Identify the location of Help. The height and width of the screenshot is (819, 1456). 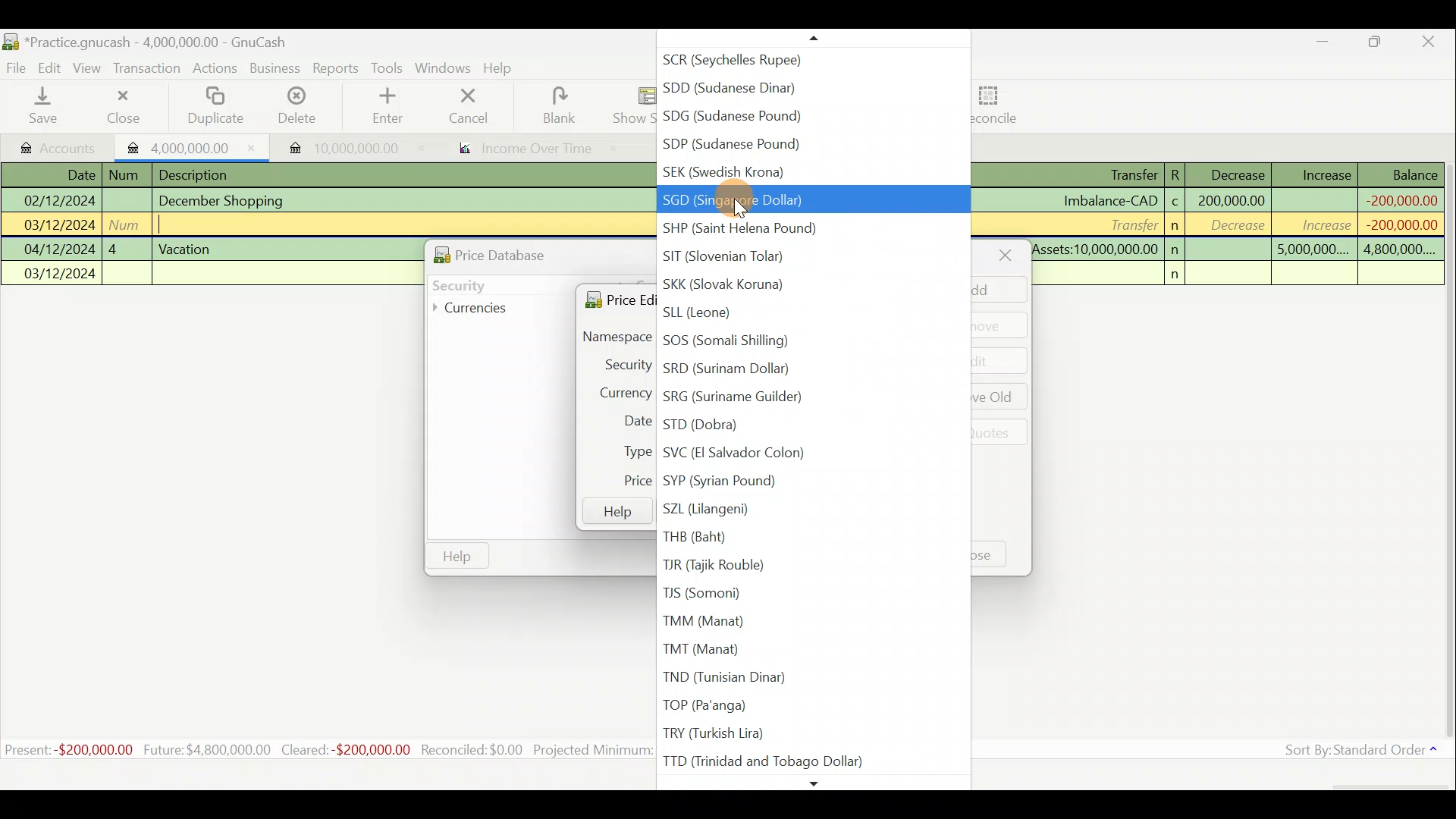
(616, 512).